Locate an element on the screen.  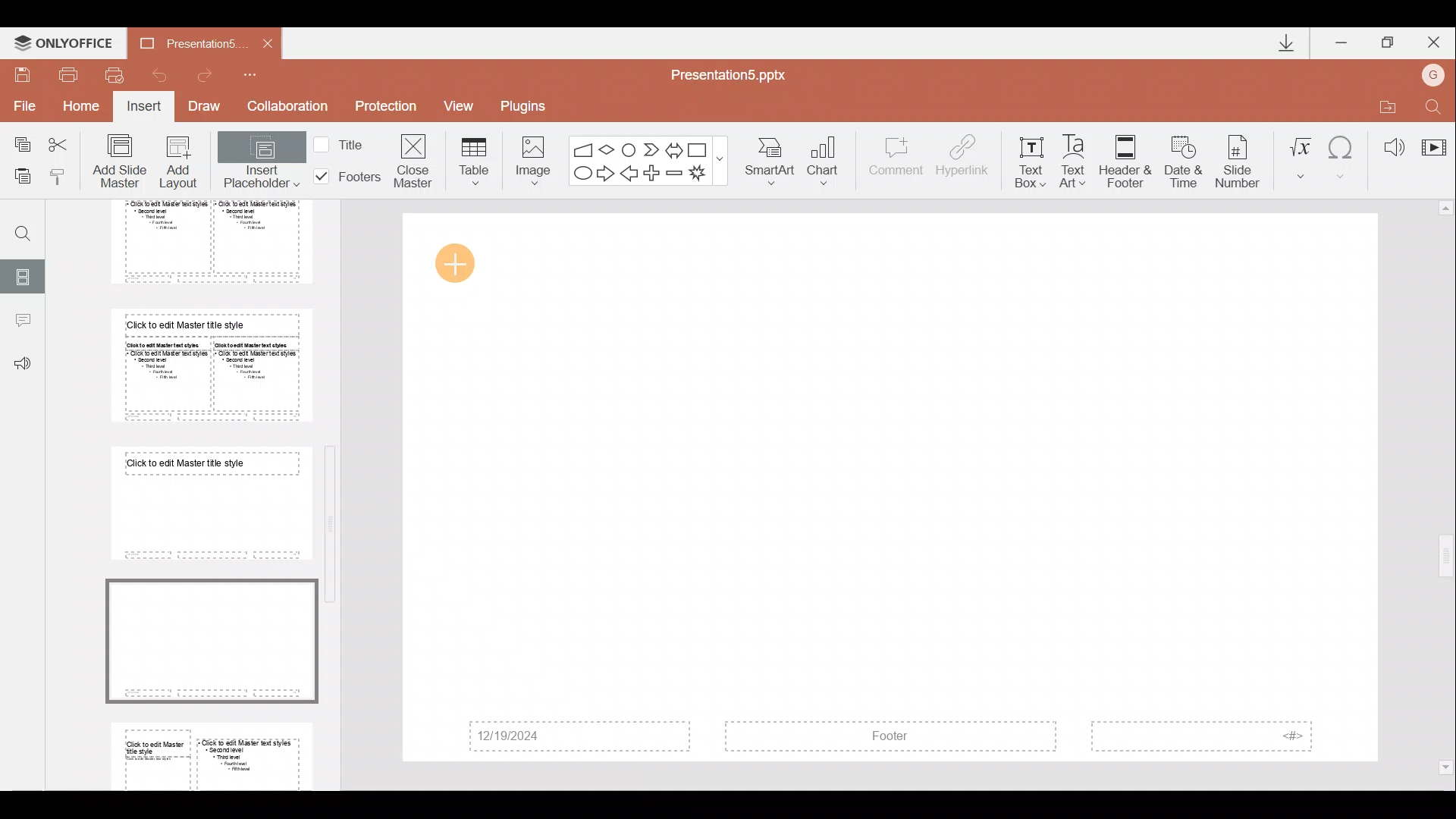
Save is located at coordinates (23, 73).